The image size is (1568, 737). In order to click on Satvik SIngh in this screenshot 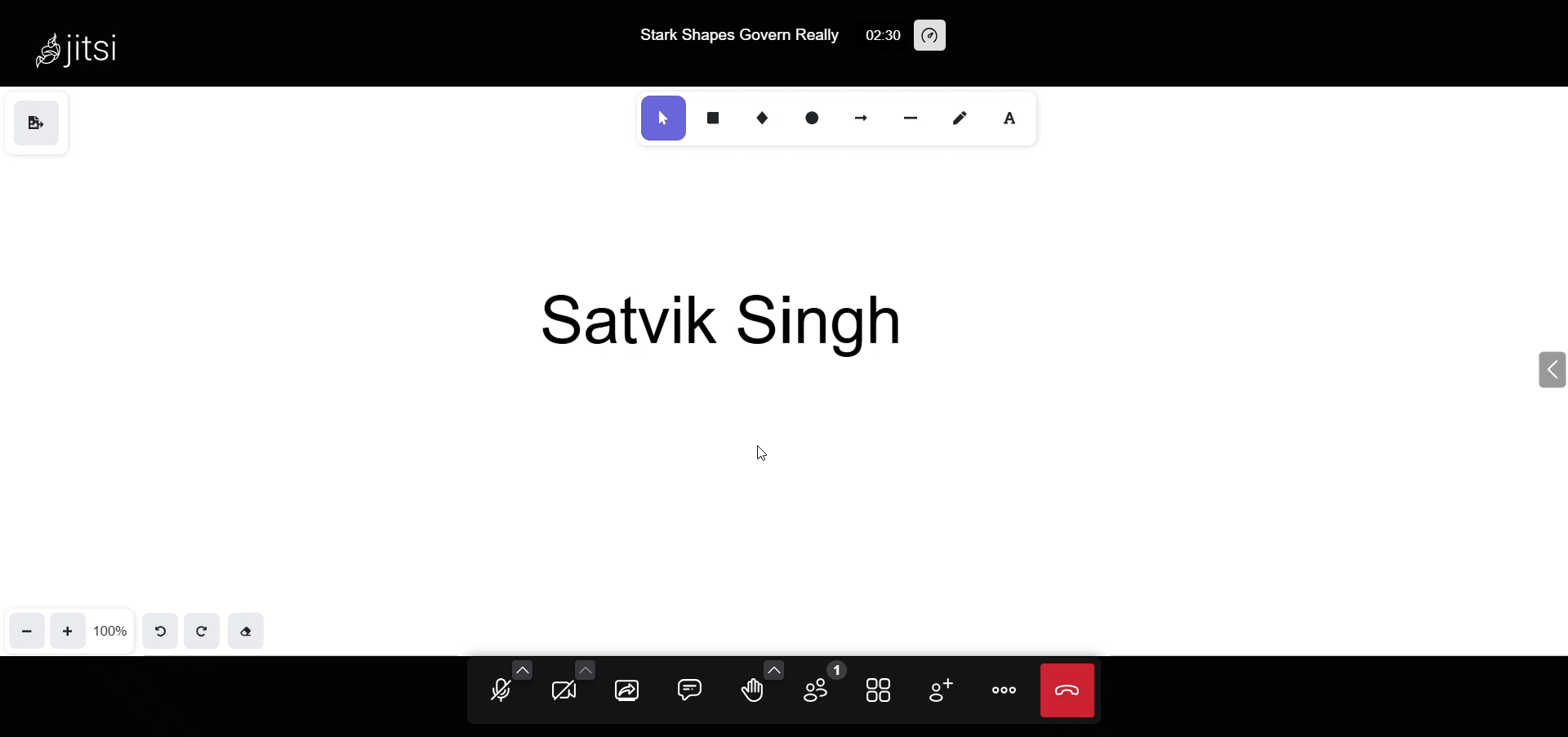, I will do `click(729, 323)`.